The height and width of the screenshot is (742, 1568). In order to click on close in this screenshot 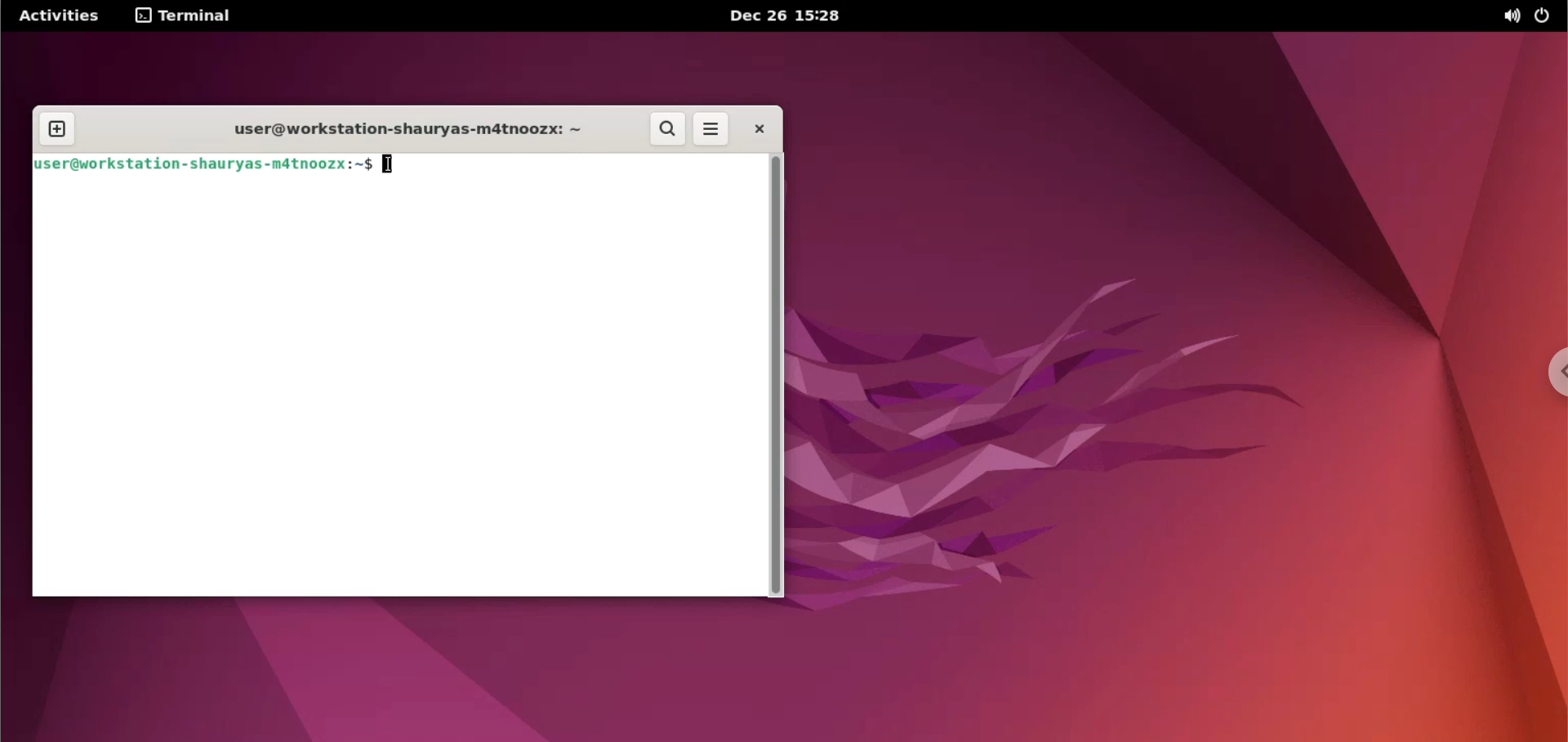, I will do `click(763, 127)`.